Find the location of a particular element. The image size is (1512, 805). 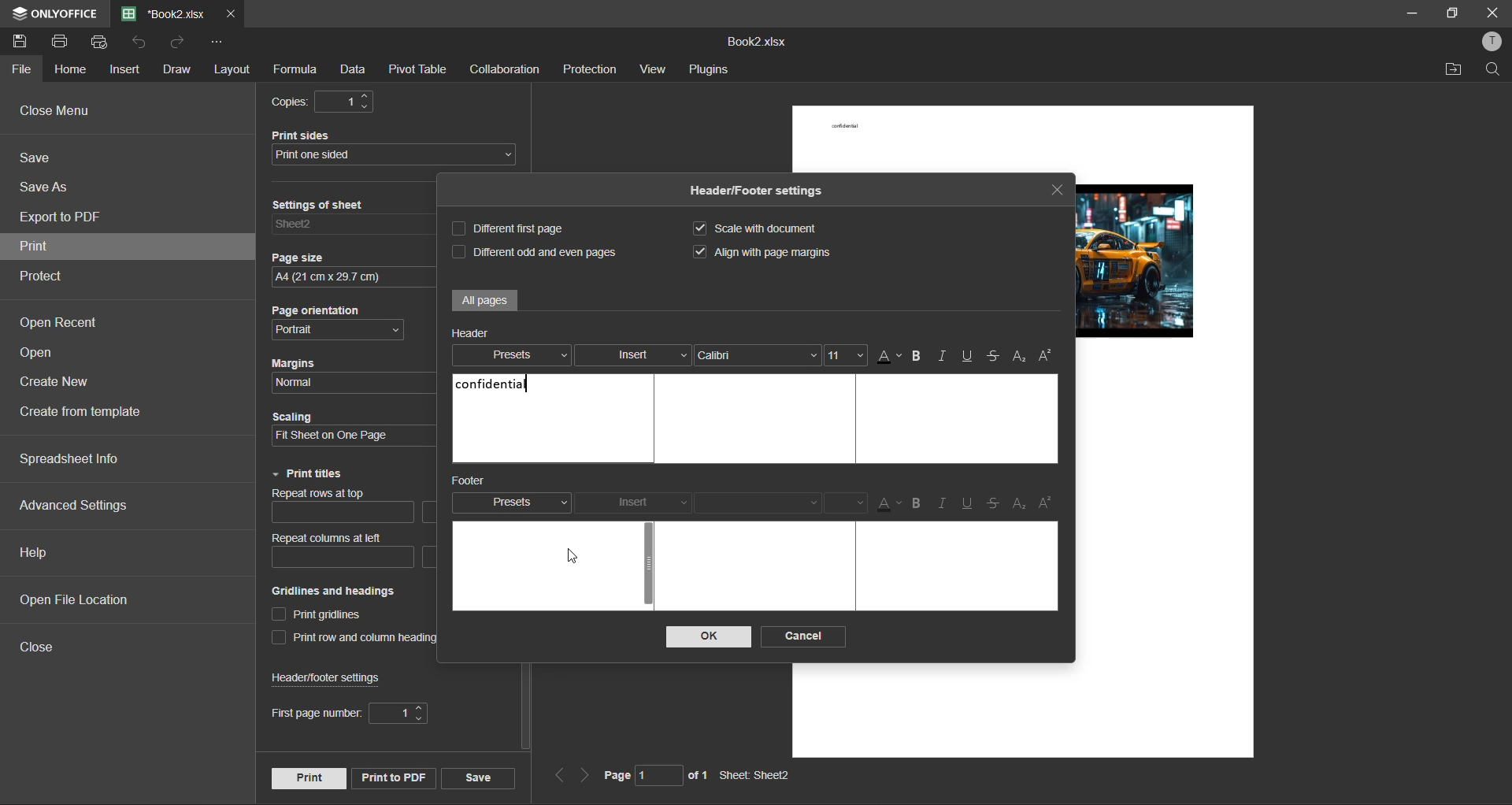

repeat rows at top is located at coordinates (354, 507).